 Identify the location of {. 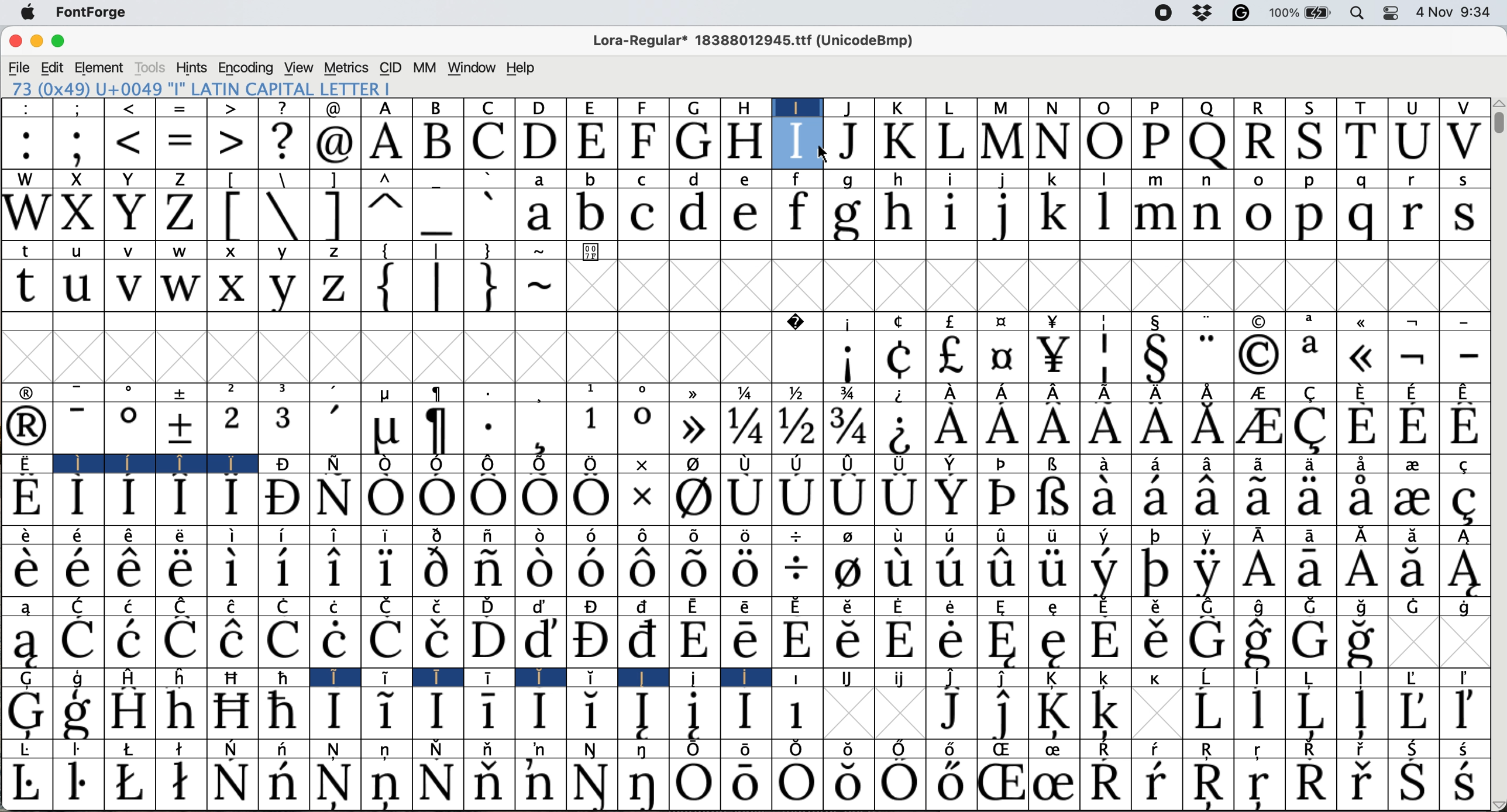
(384, 287).